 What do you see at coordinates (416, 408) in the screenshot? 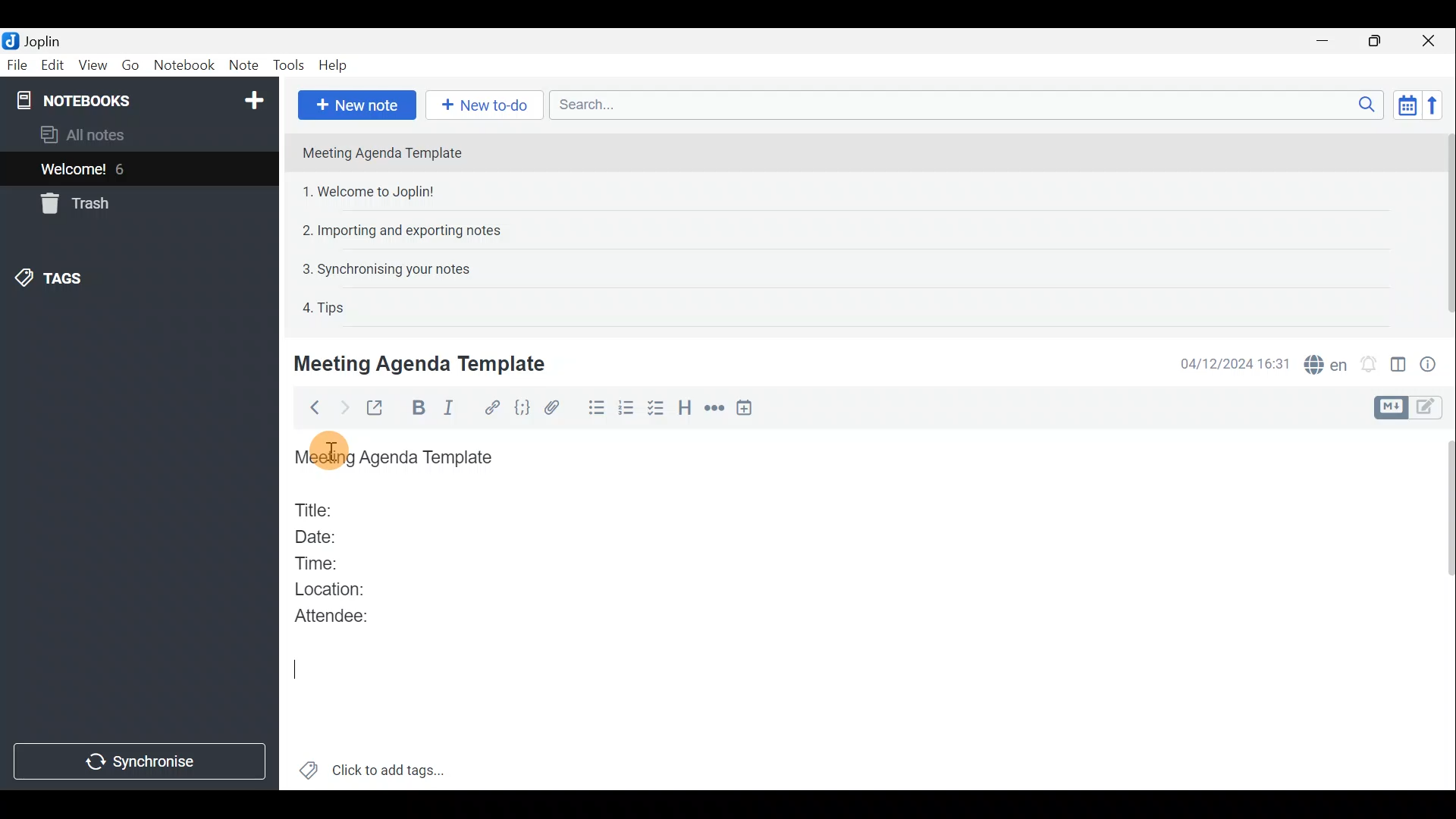
I see `Bold` at bounding box center [416, 408].